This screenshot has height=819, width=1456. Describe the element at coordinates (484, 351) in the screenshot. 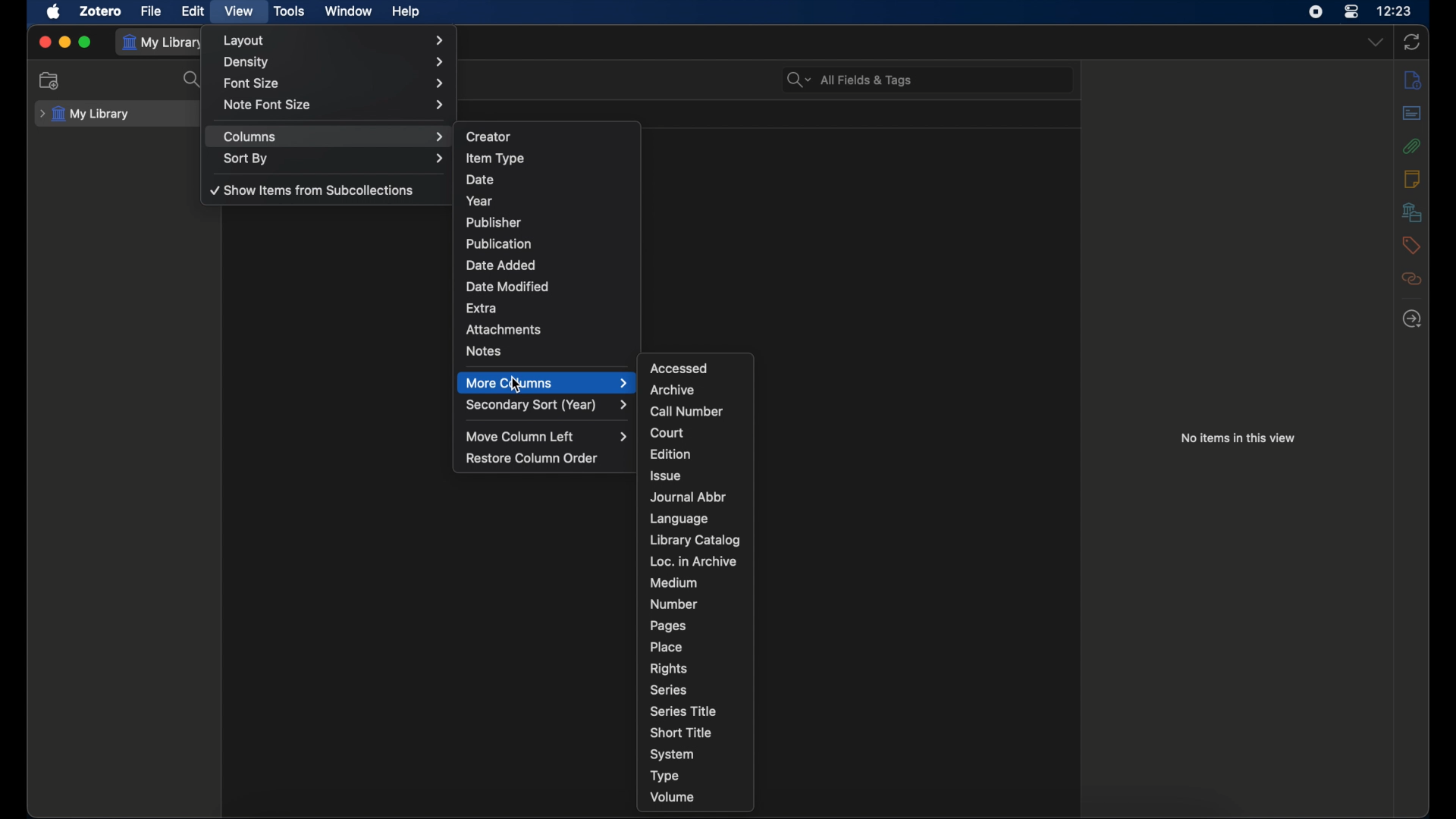

I see `notes` at that location.